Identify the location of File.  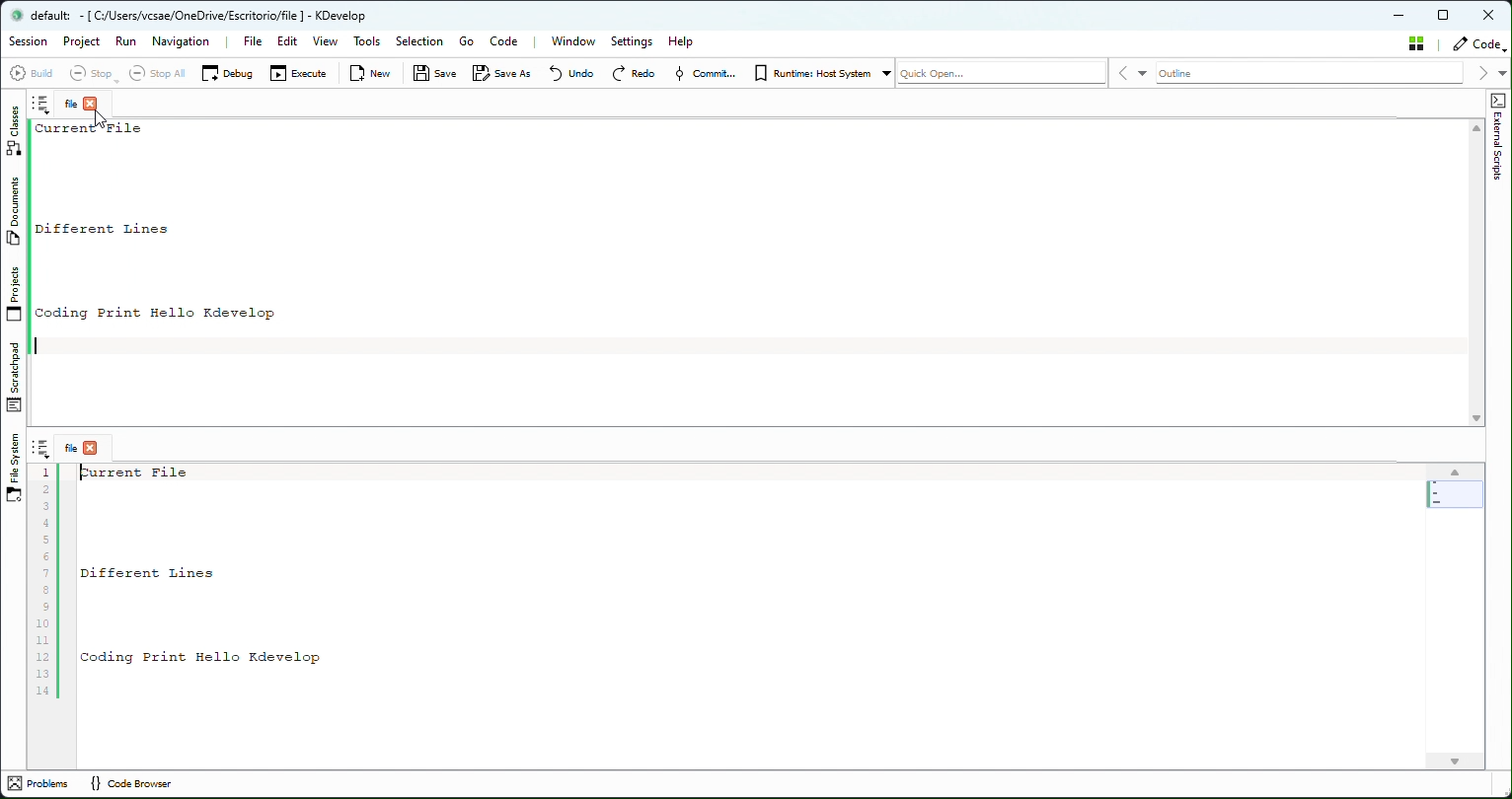
(251, 41).